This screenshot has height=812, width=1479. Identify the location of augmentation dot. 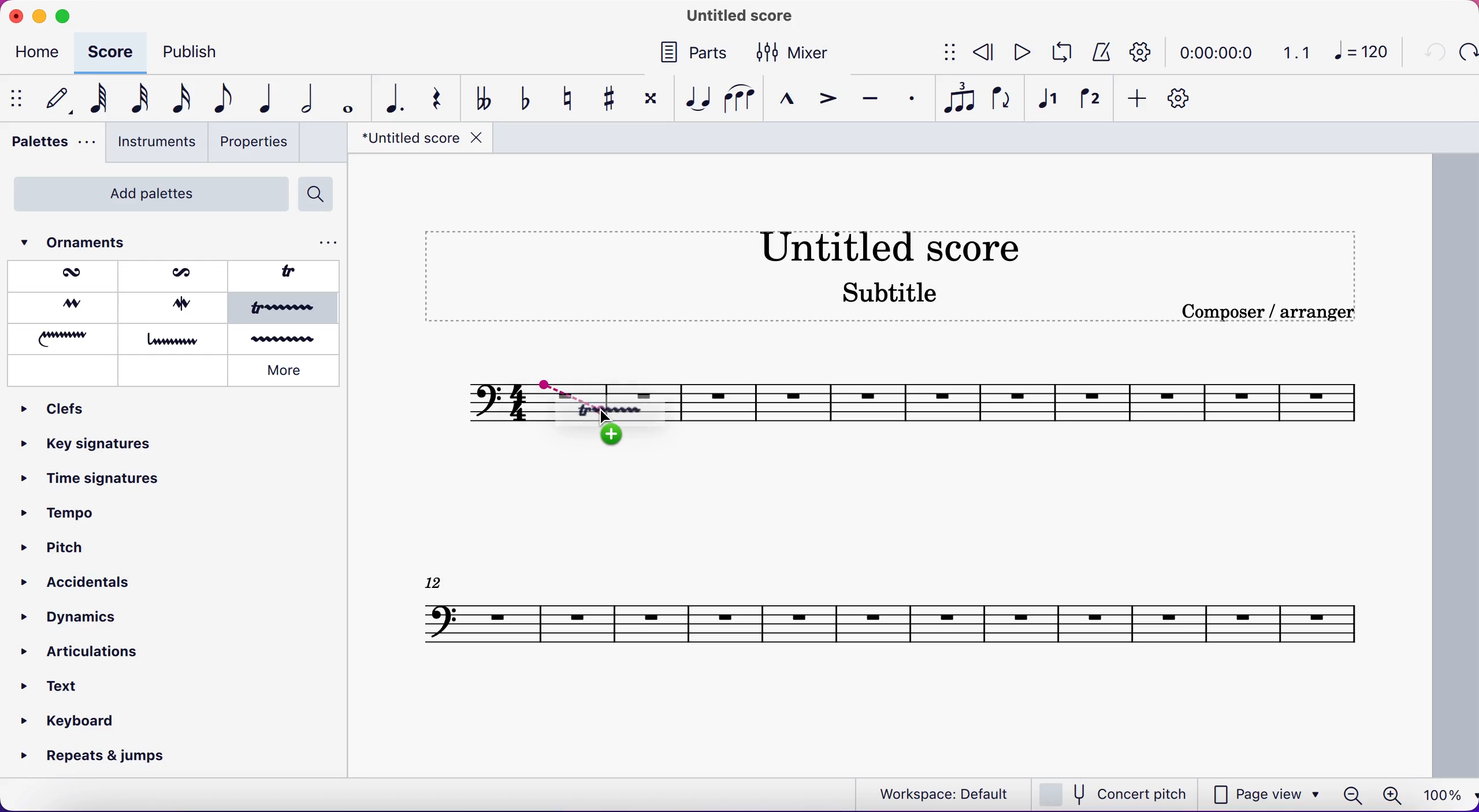
(391, 98).